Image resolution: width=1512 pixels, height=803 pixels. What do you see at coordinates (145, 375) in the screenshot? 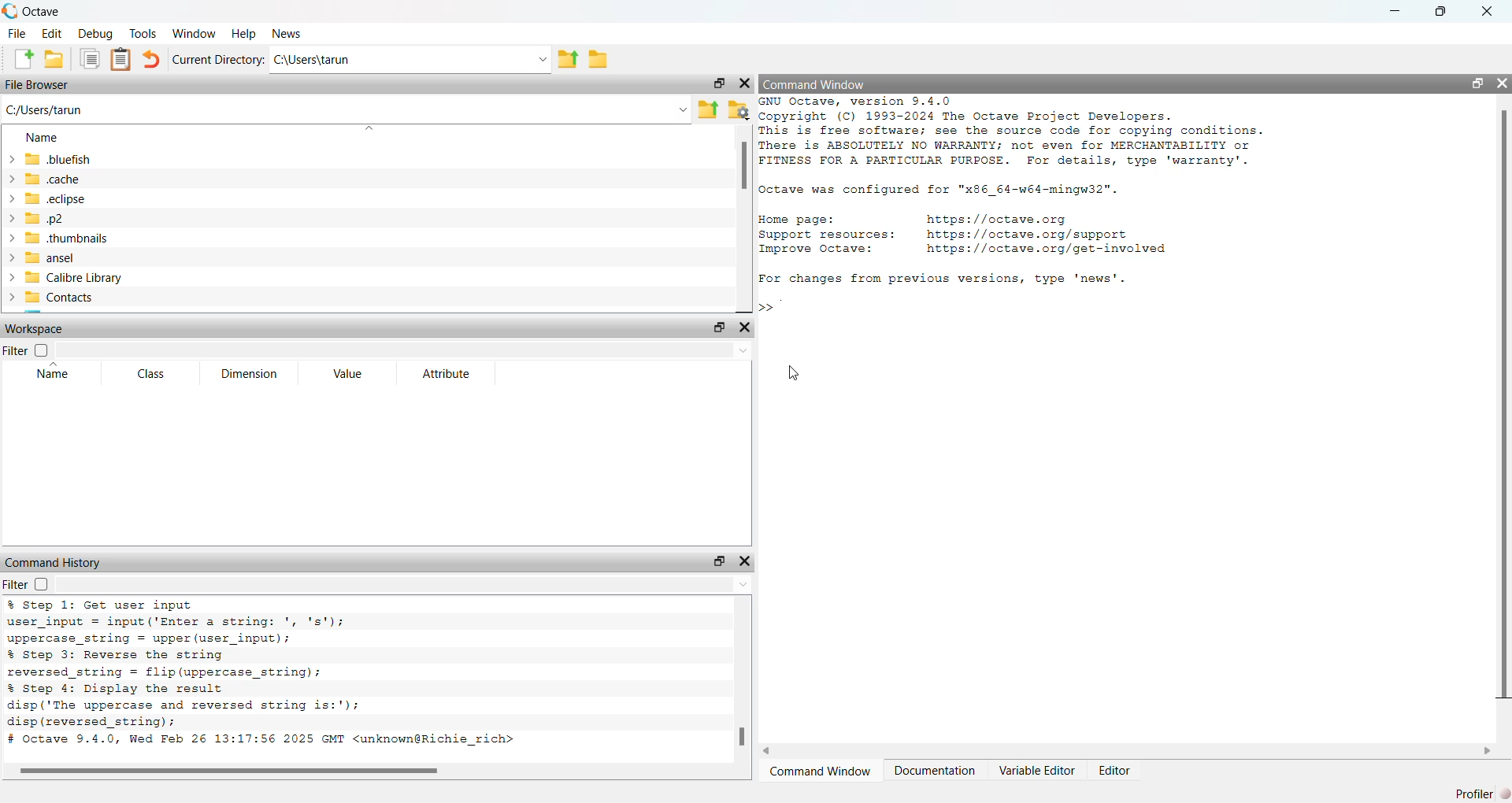
I see `class` at bounding box center [145, 375].